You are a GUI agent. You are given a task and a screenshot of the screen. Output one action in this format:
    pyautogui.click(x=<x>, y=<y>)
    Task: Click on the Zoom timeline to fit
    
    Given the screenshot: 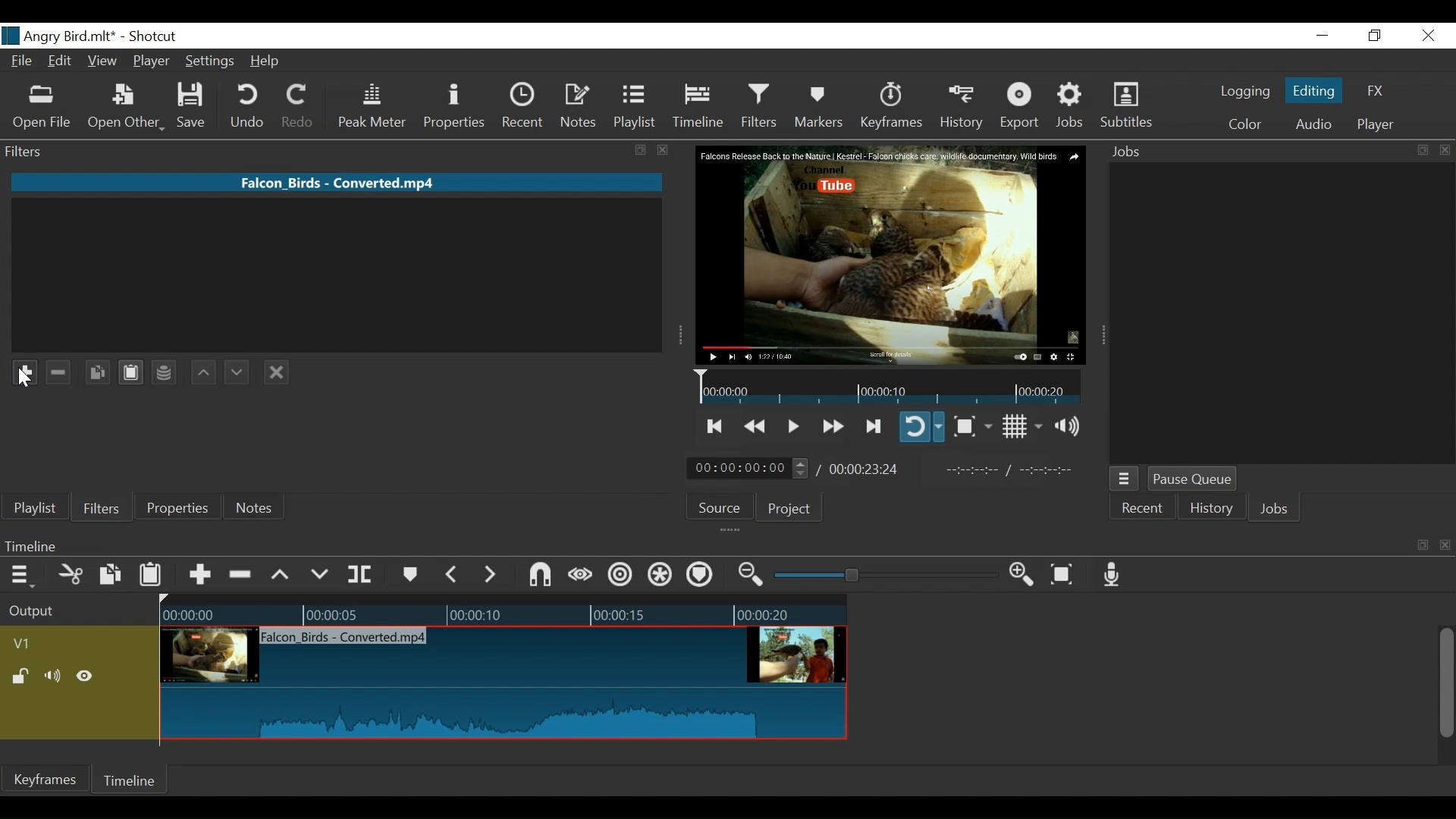 What is the action you would take?
    pyautogui.click(x=1068, y=573)
    